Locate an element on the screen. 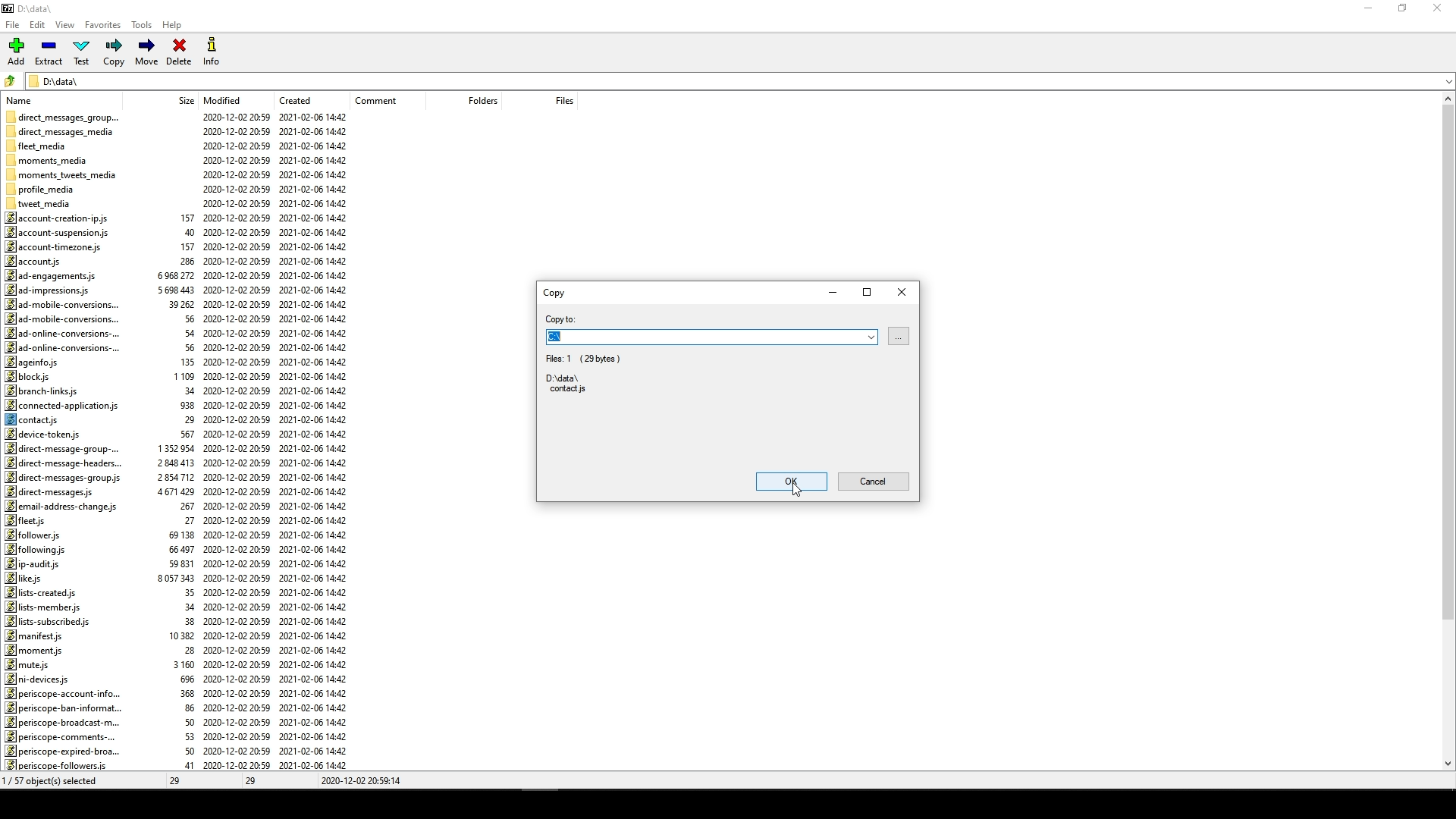 This screenshot has width=1456, height=819. ad-engagements.js is located at coordinates (49, 275).